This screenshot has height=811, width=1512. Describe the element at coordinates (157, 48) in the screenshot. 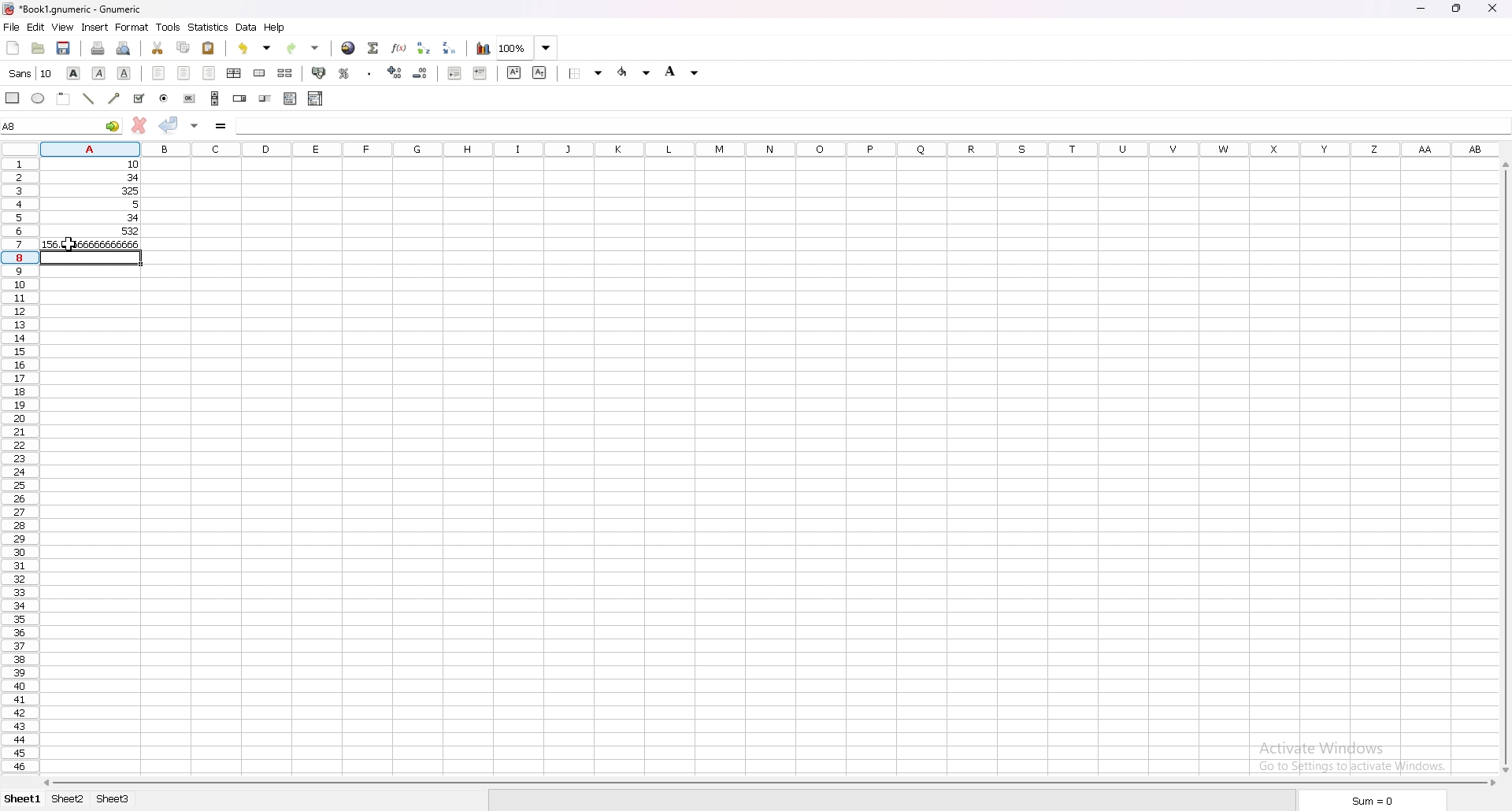

I see `cut` at that location.